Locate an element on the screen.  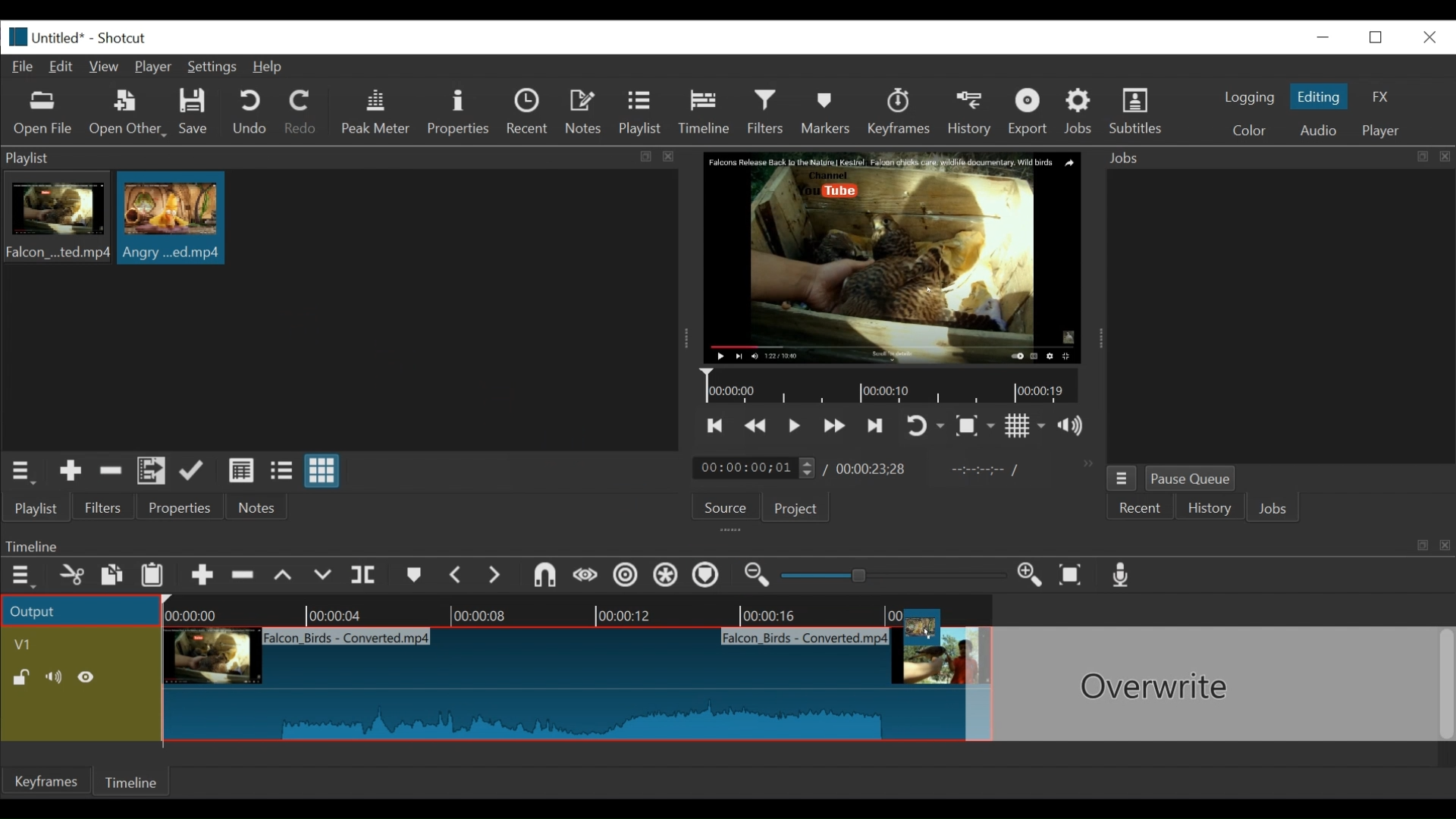
Toggle zoom is located at coordinates (974, 427).